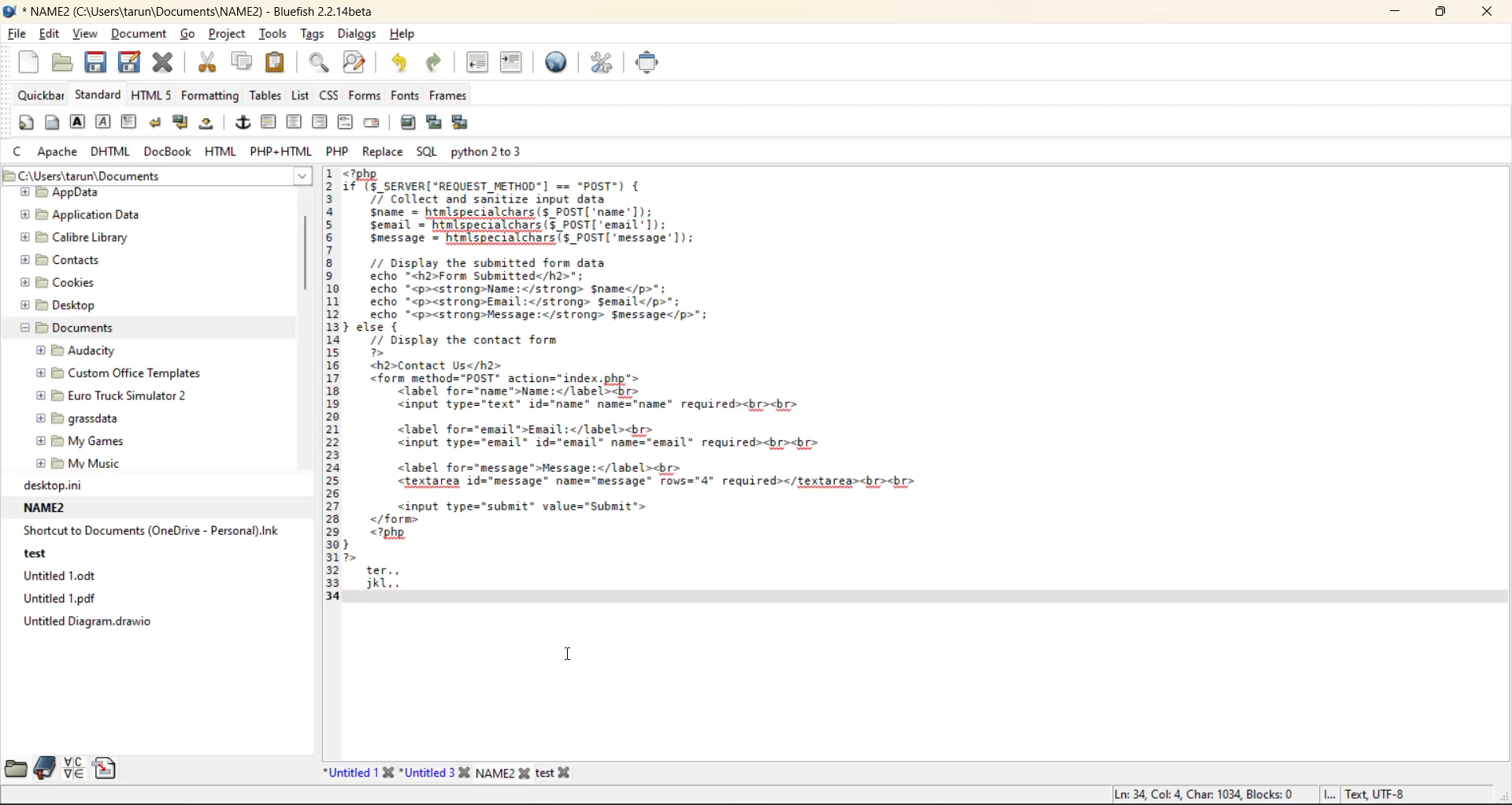  What do you see at coordinates (211, 126) in the screenshot?
I see `non breaking space` at bounding box center [211, 126].